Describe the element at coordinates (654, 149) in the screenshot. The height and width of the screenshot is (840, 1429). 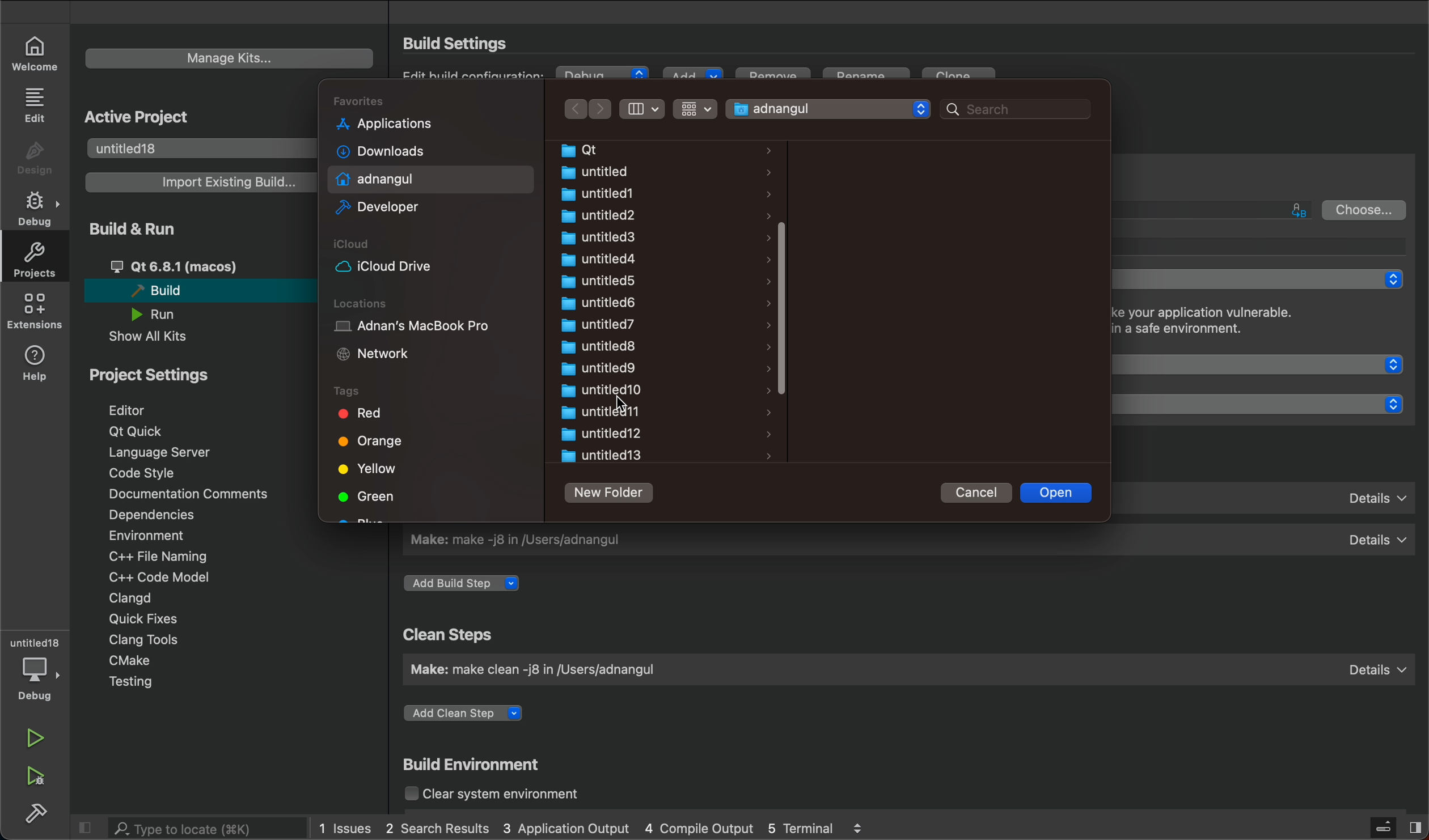
I see `Qt` at that location.